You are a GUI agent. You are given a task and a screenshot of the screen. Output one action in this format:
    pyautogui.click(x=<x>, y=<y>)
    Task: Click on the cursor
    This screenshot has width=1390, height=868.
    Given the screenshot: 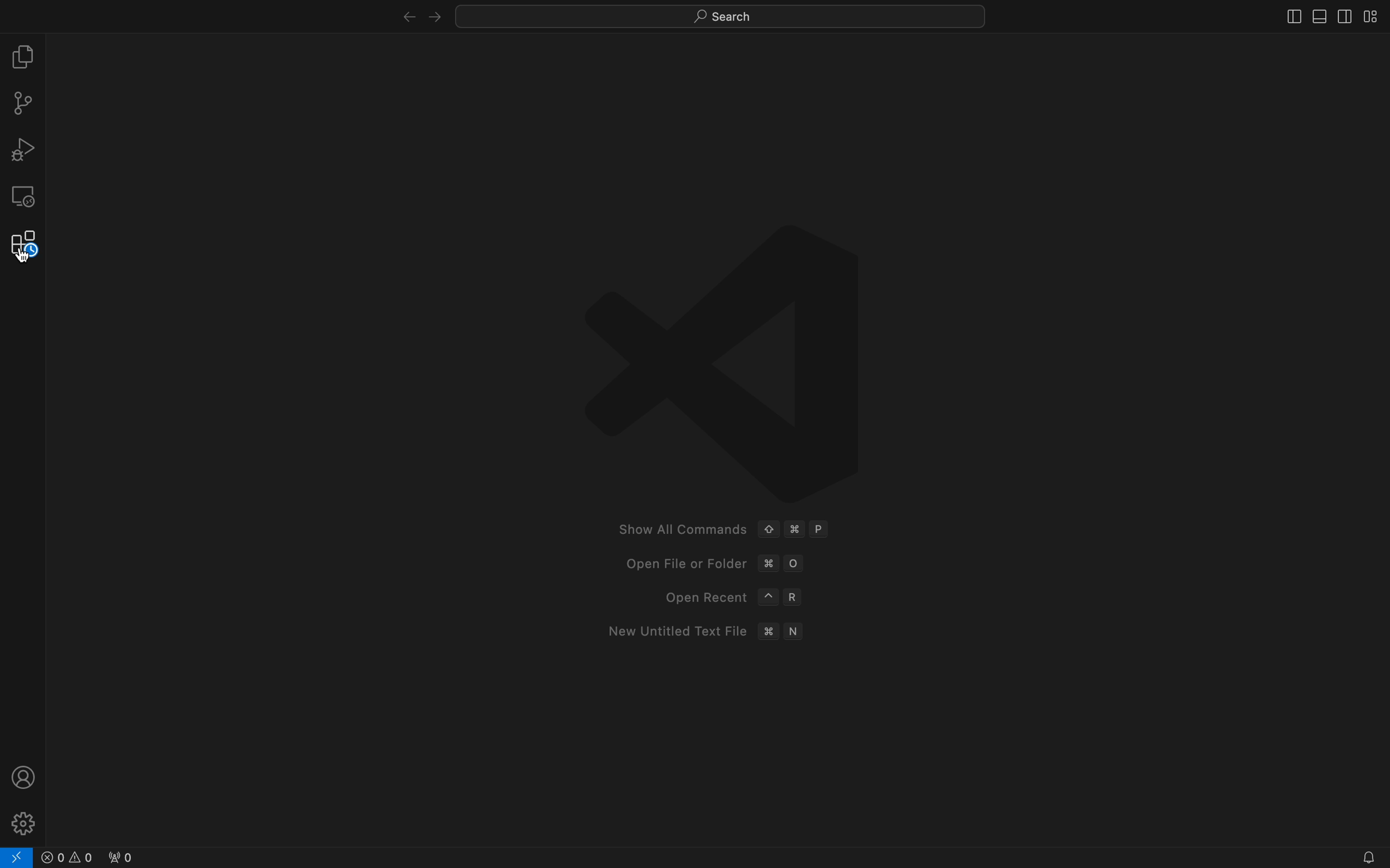 What is the action you would take?
    pyautogui.click(x=22, y=256)
    